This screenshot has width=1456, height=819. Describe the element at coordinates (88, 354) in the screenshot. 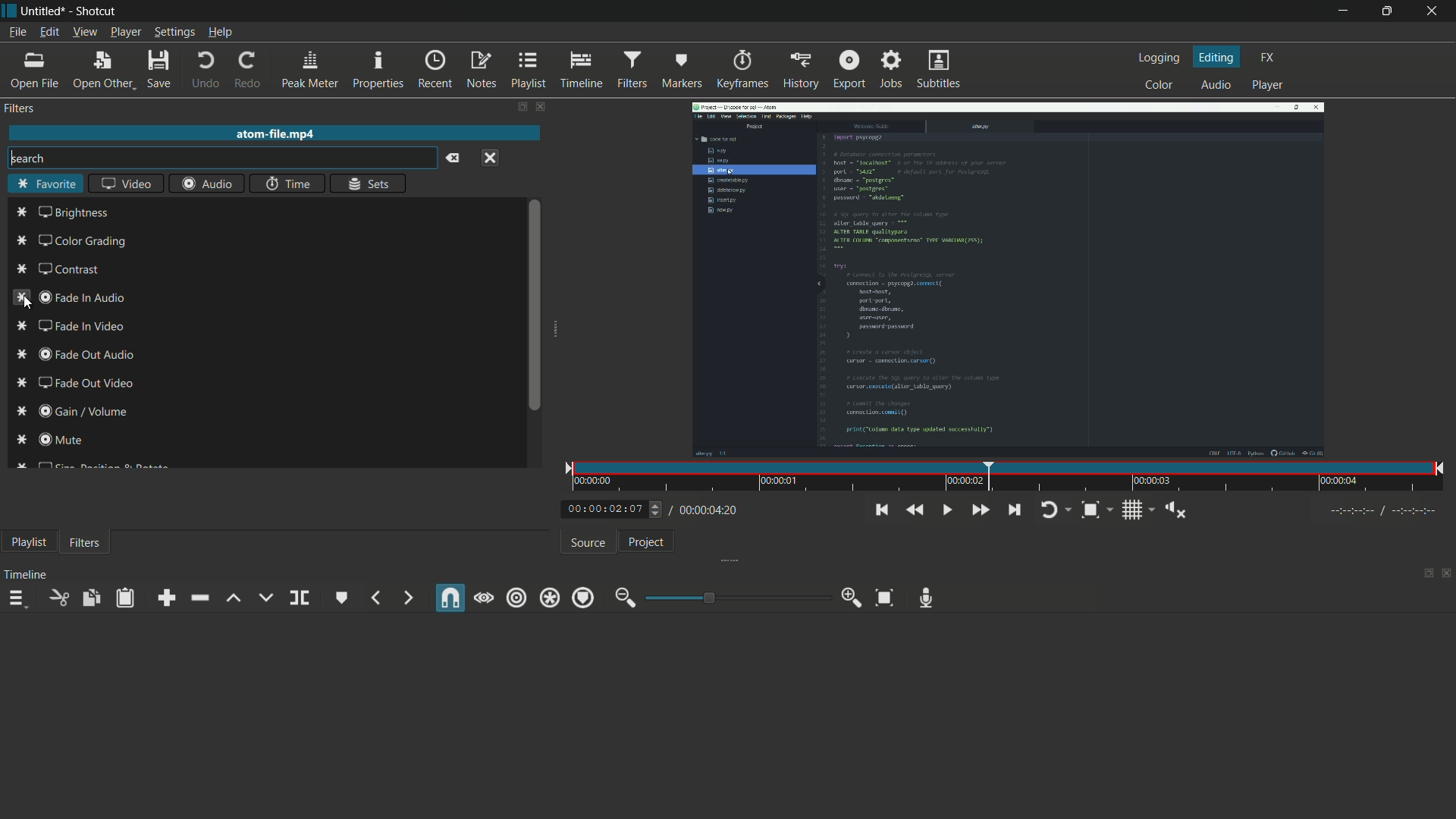

I see `fade out audio` at that location.